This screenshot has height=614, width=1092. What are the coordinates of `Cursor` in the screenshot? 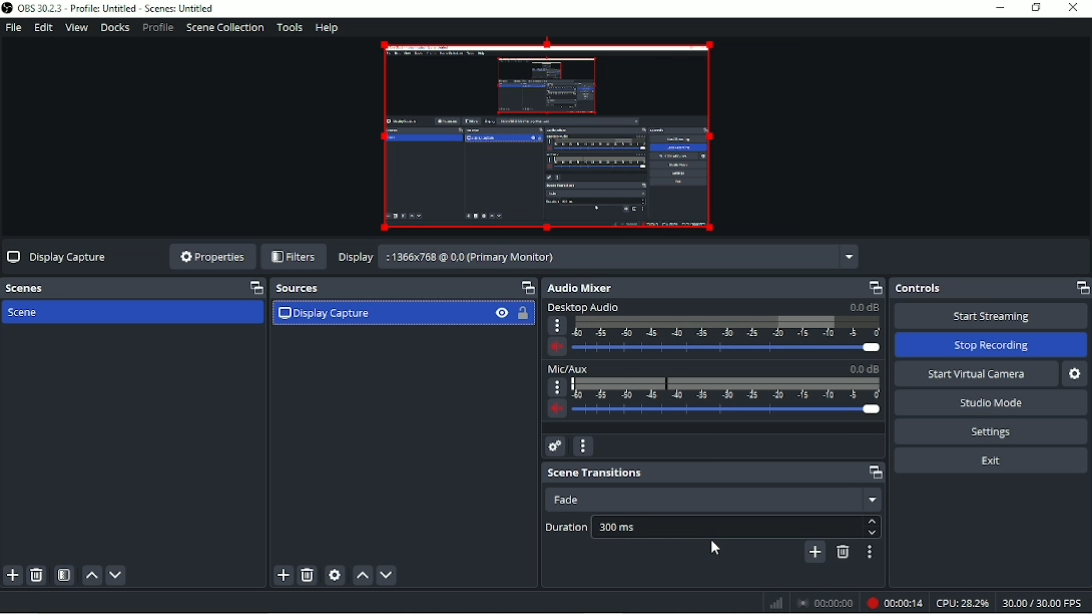 It's located at (717, 550).